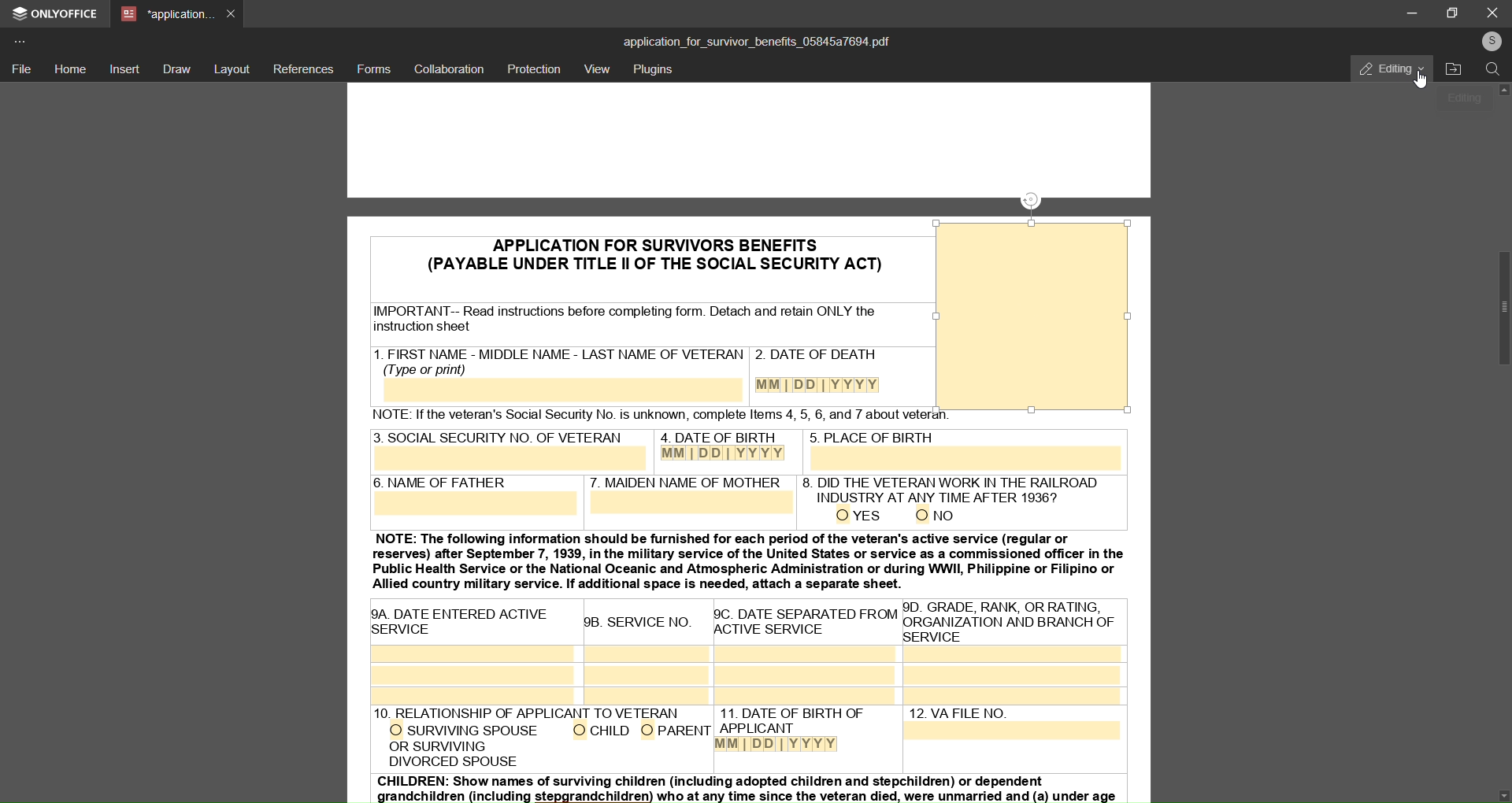  I want to click on title, so click(756, 40).